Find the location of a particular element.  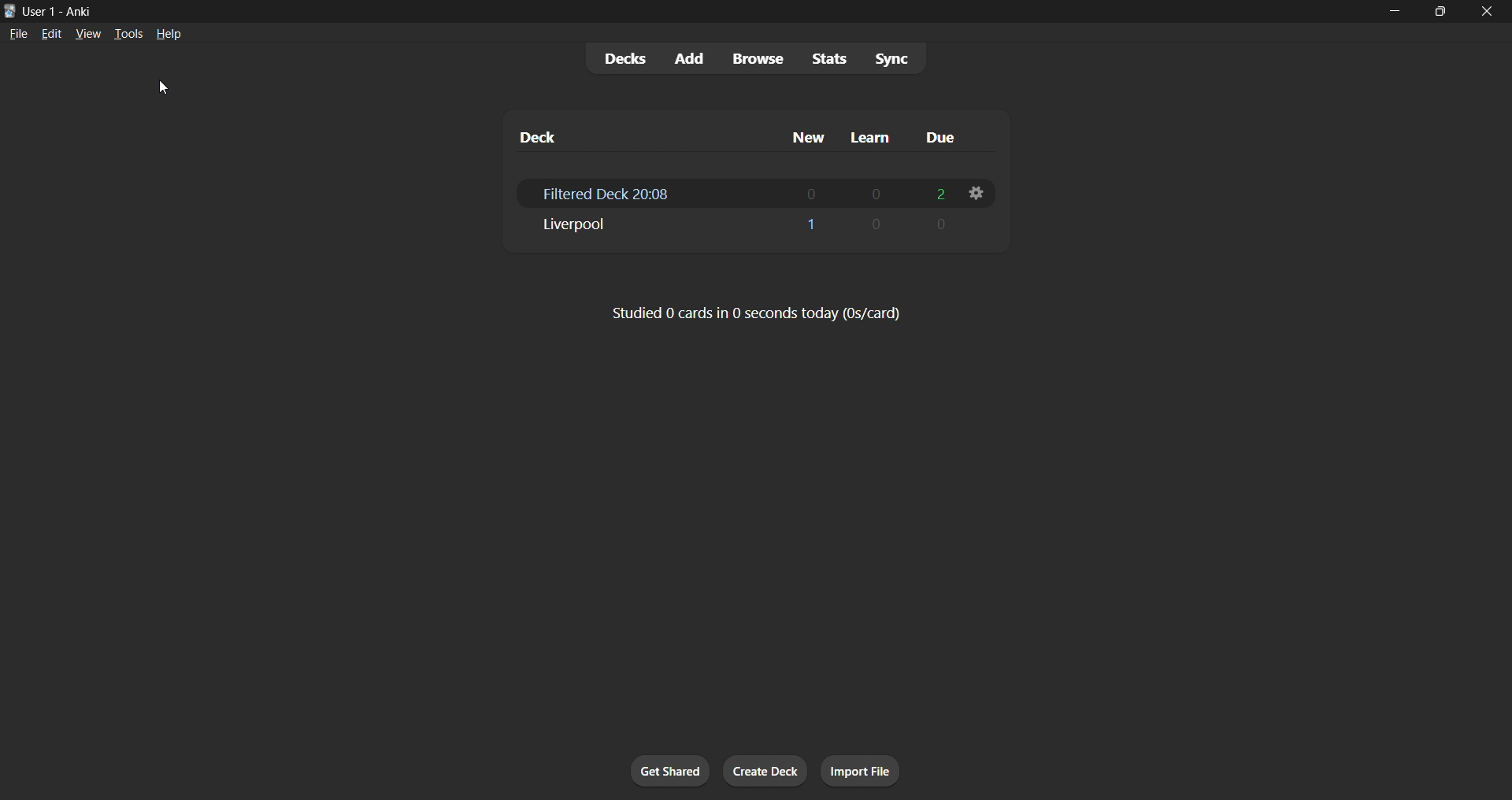

new column is located at coordinates (809, 139).